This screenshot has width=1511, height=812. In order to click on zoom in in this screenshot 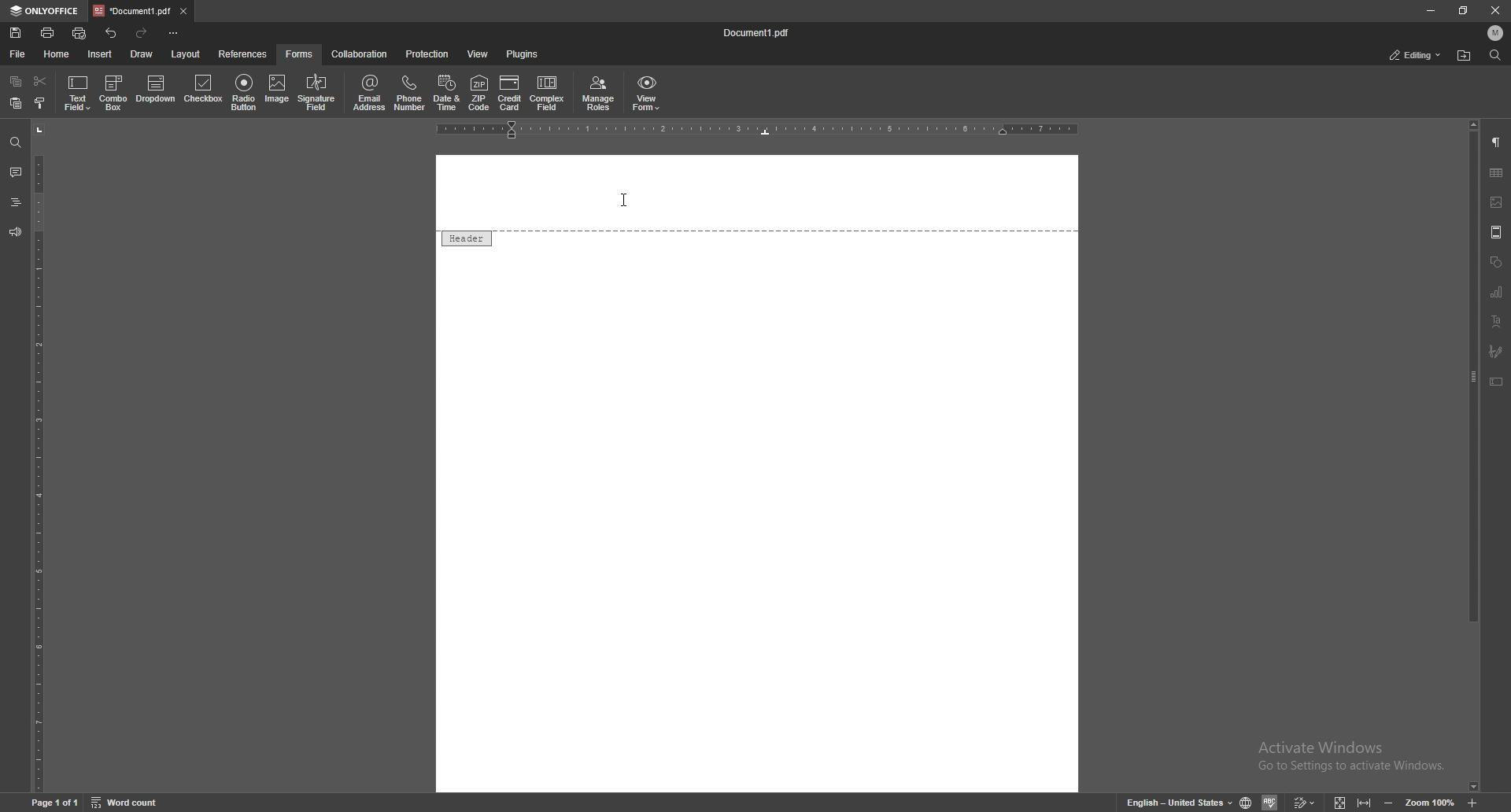, I will do `click(1473, 803)`.